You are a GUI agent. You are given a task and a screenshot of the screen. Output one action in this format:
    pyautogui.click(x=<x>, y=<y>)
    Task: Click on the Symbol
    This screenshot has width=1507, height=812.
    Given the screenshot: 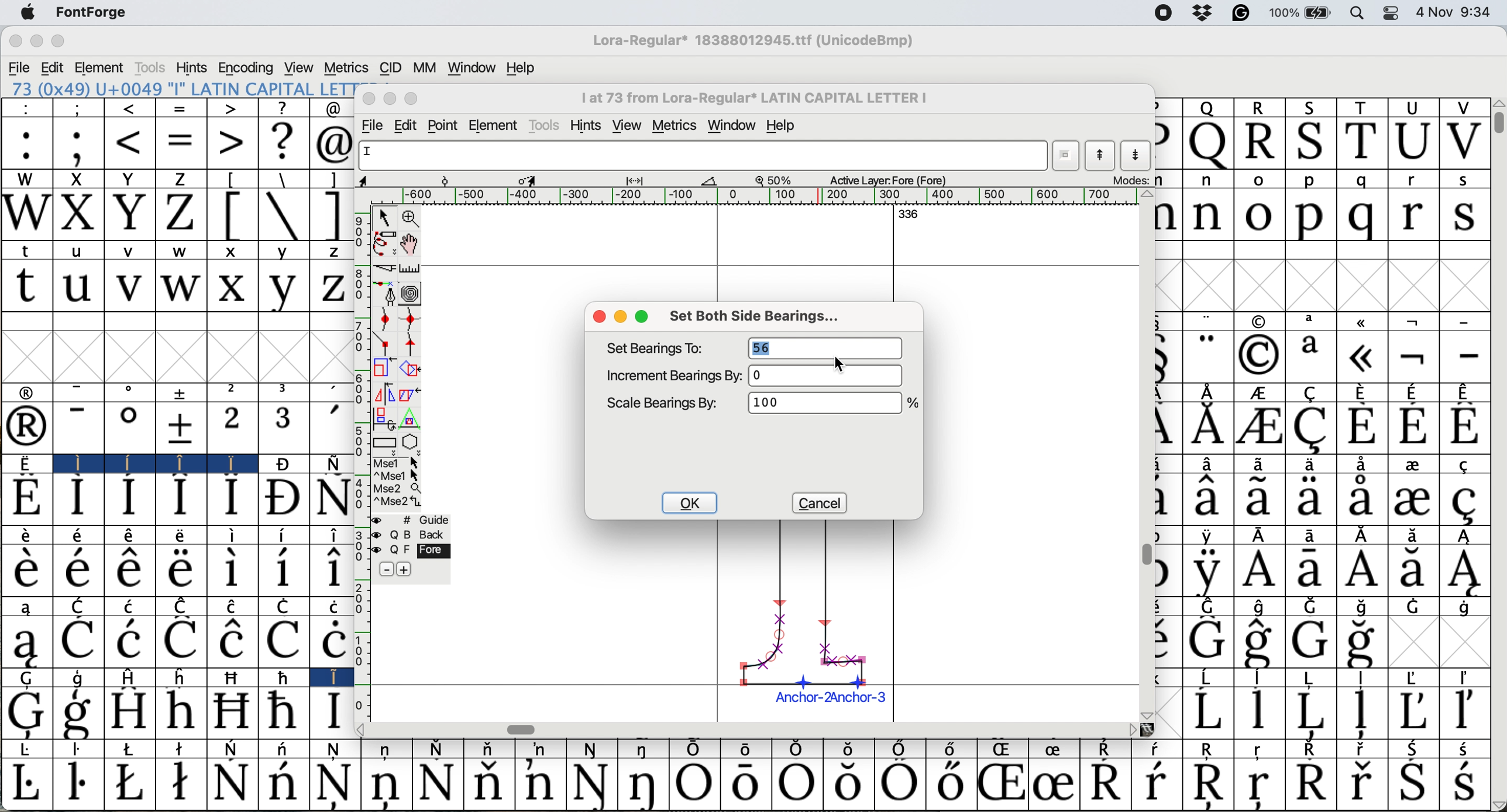 What is the action you would take?
    pyautogui.click(x=330, y=605)
    